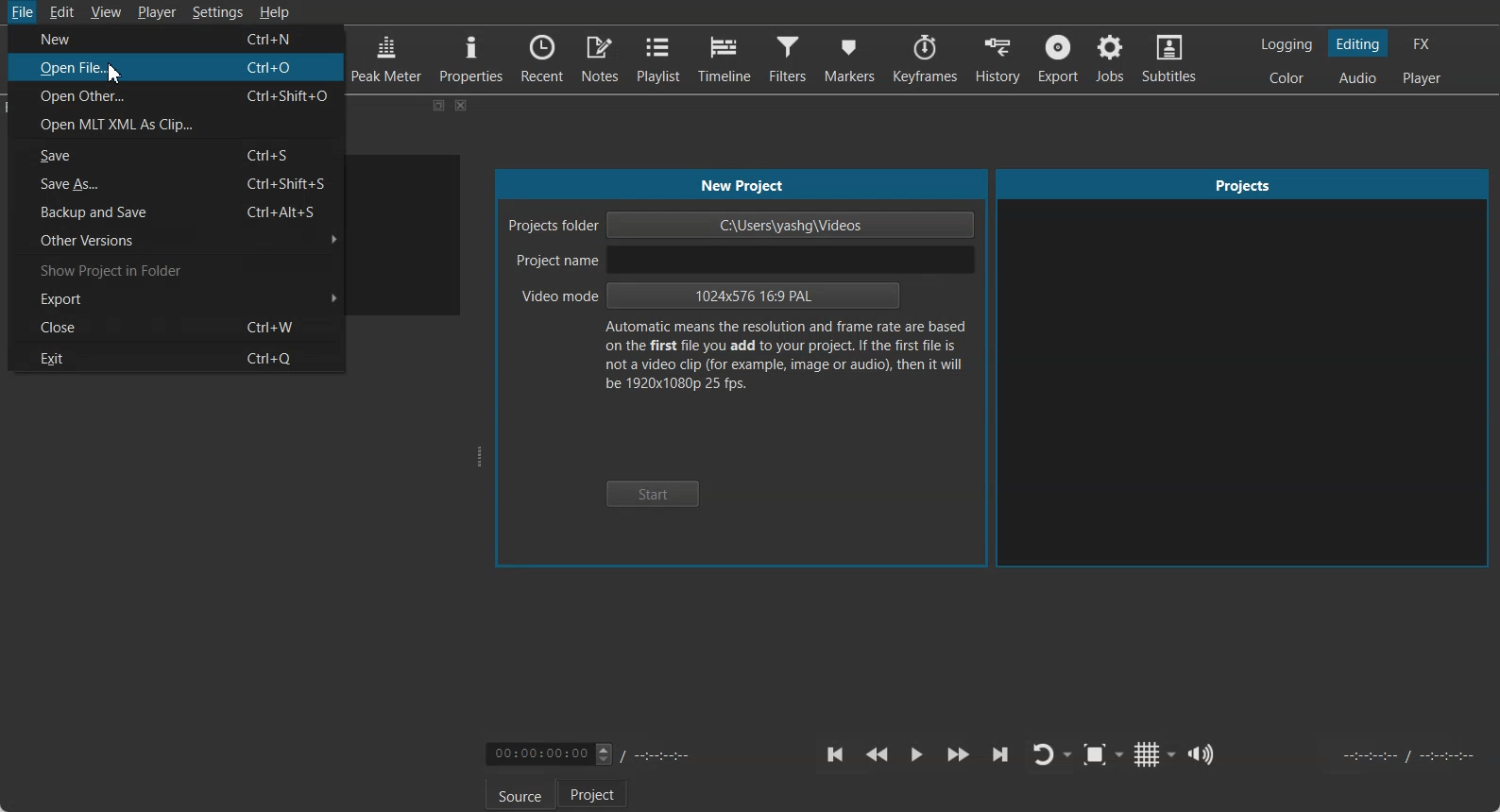 The height and width of the screenshot is (812, 1500). Describe the element at coordinates (179, 155) in the screenshot. I see `Save` at that location.